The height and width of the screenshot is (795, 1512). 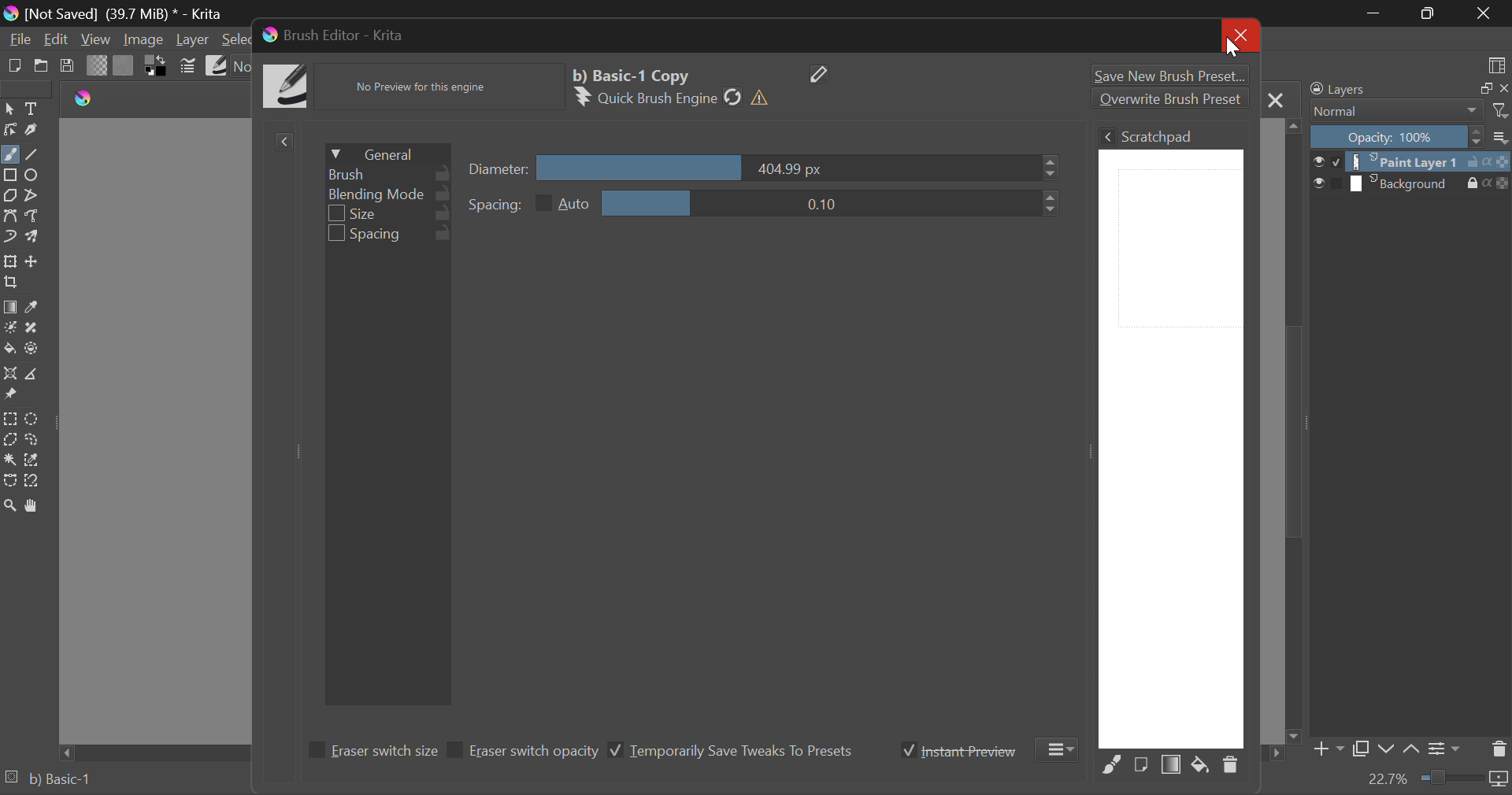 I want to click on Fill, so click(x=10, y=349).